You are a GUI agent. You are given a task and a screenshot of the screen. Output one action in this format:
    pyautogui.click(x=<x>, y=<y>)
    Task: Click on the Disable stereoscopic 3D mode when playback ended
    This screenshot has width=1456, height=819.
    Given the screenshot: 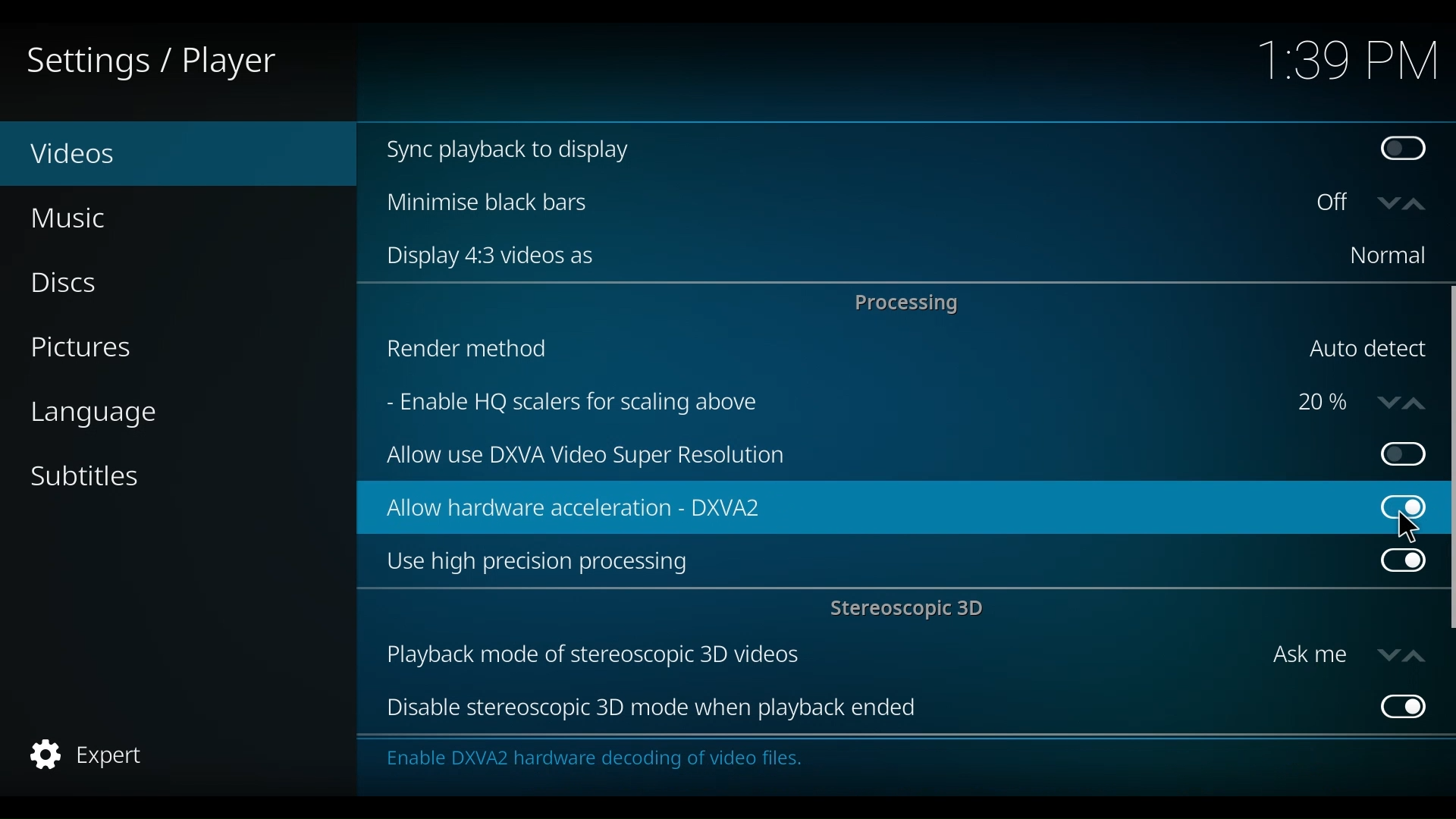 What is the action you would take?
    pyautogui.click(x=871, y=709)
    